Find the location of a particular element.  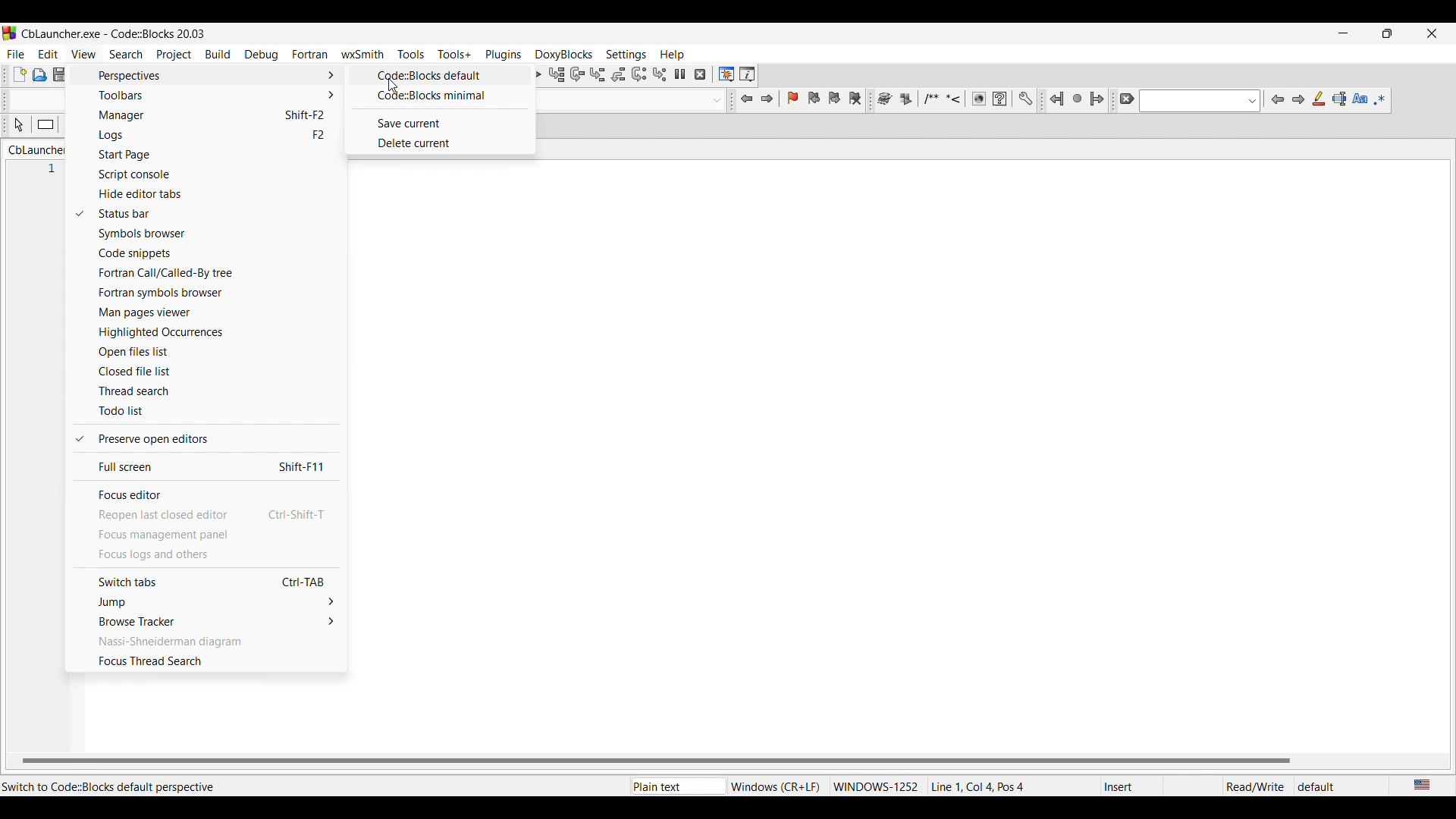

Open is located at coordinates (40, 75).